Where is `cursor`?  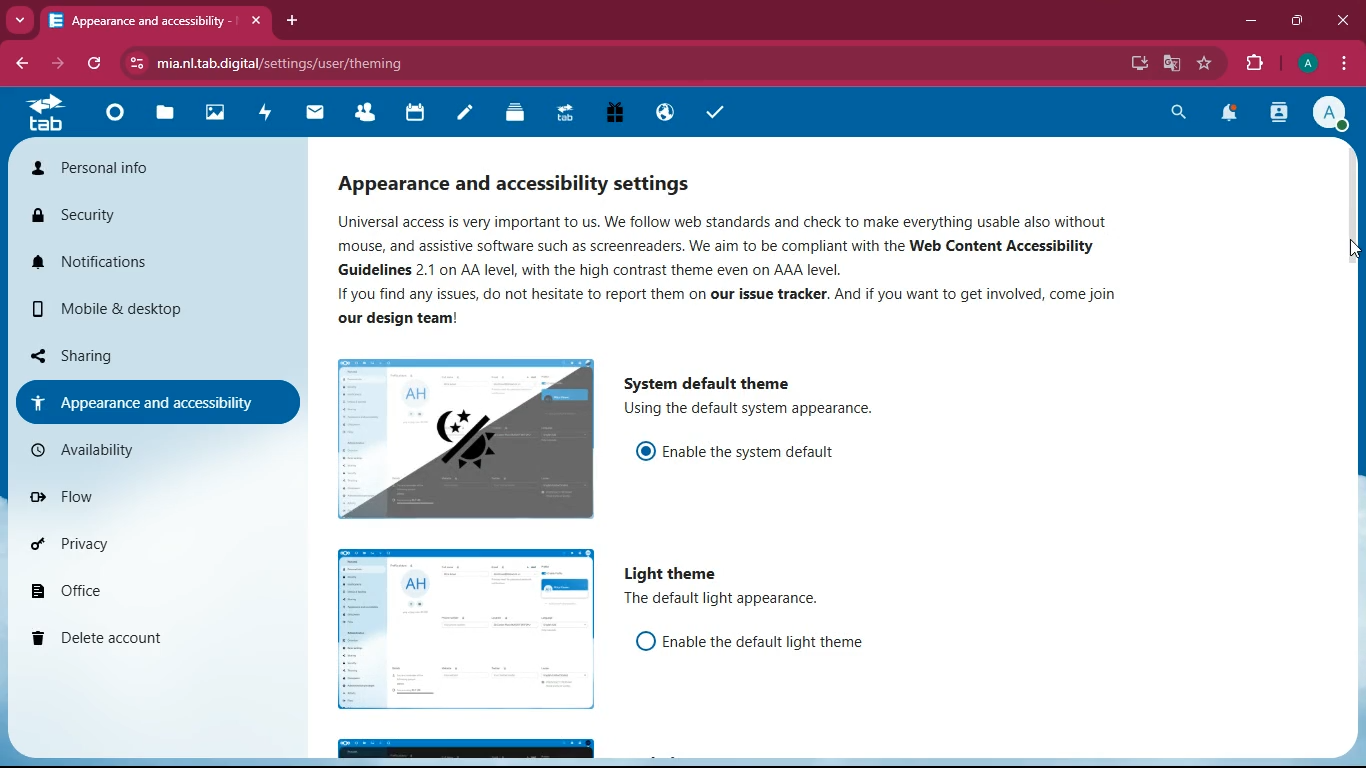 cursor is located at coordinates (1345, 250).